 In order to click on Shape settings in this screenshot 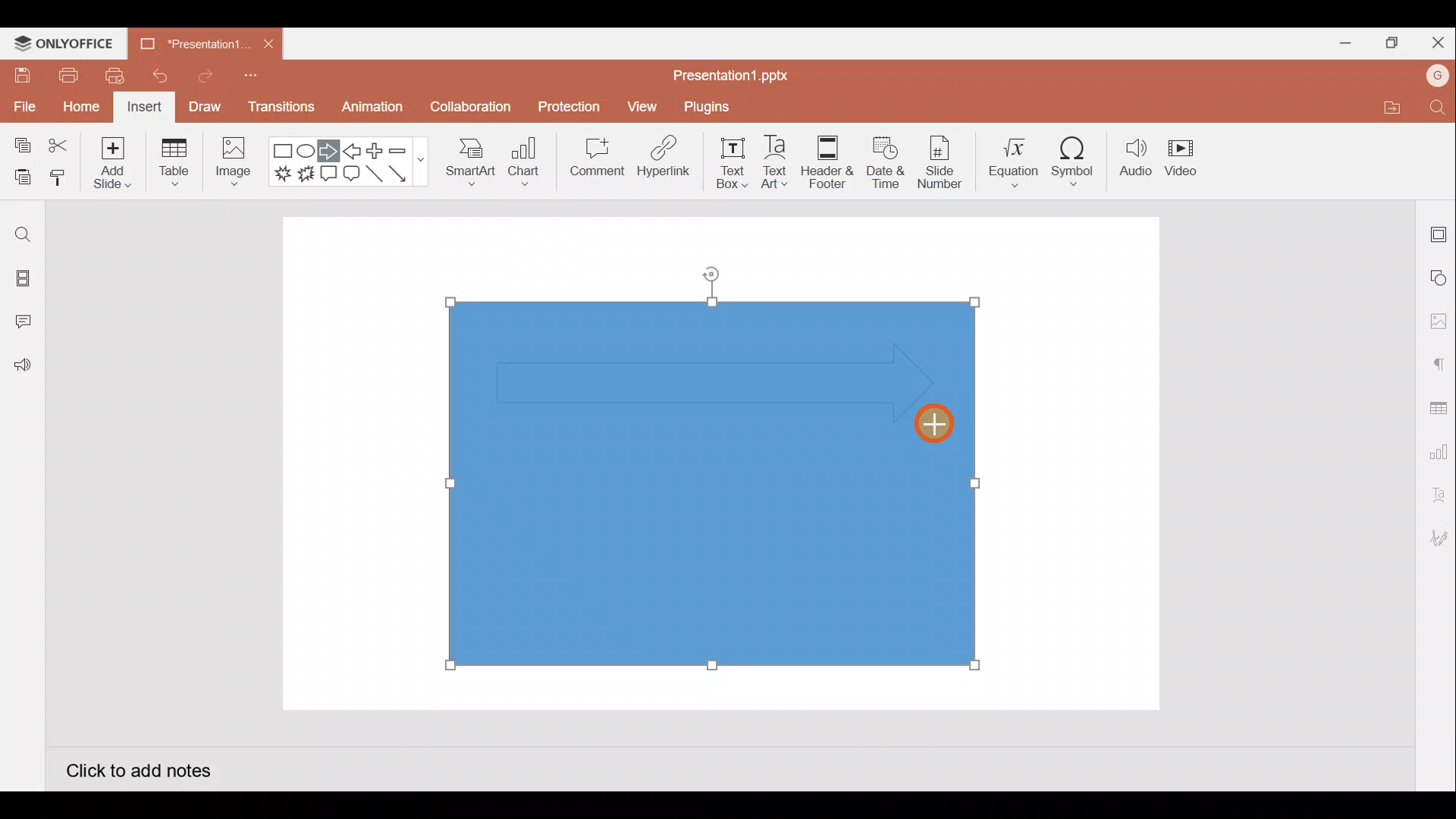, I will do `click(1439, 277)`.